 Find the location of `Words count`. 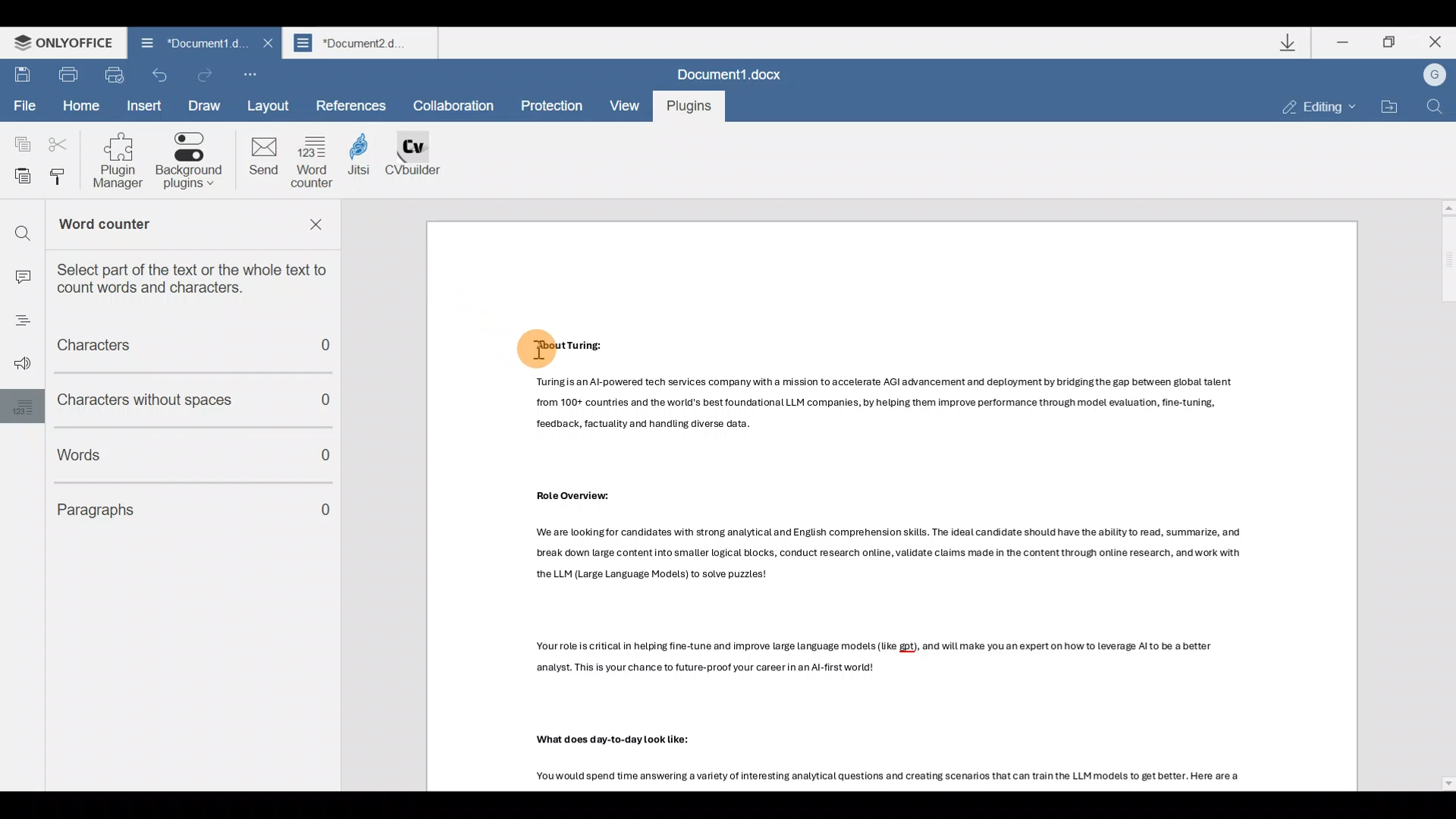

Words count is located at coordinates (168, 451).